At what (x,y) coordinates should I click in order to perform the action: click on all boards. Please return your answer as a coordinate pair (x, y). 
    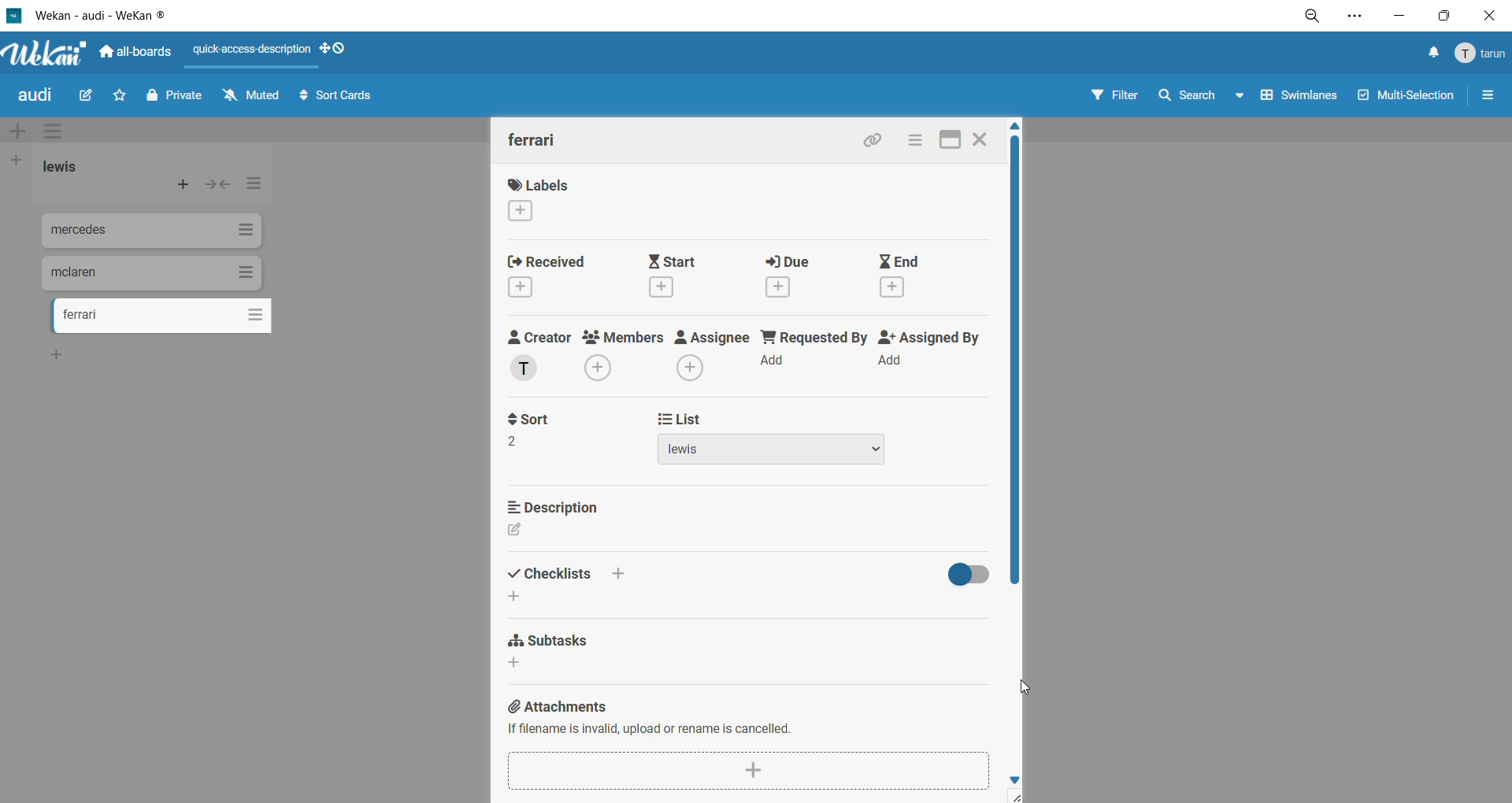
    Looking at the image, I should click on (135, 53).